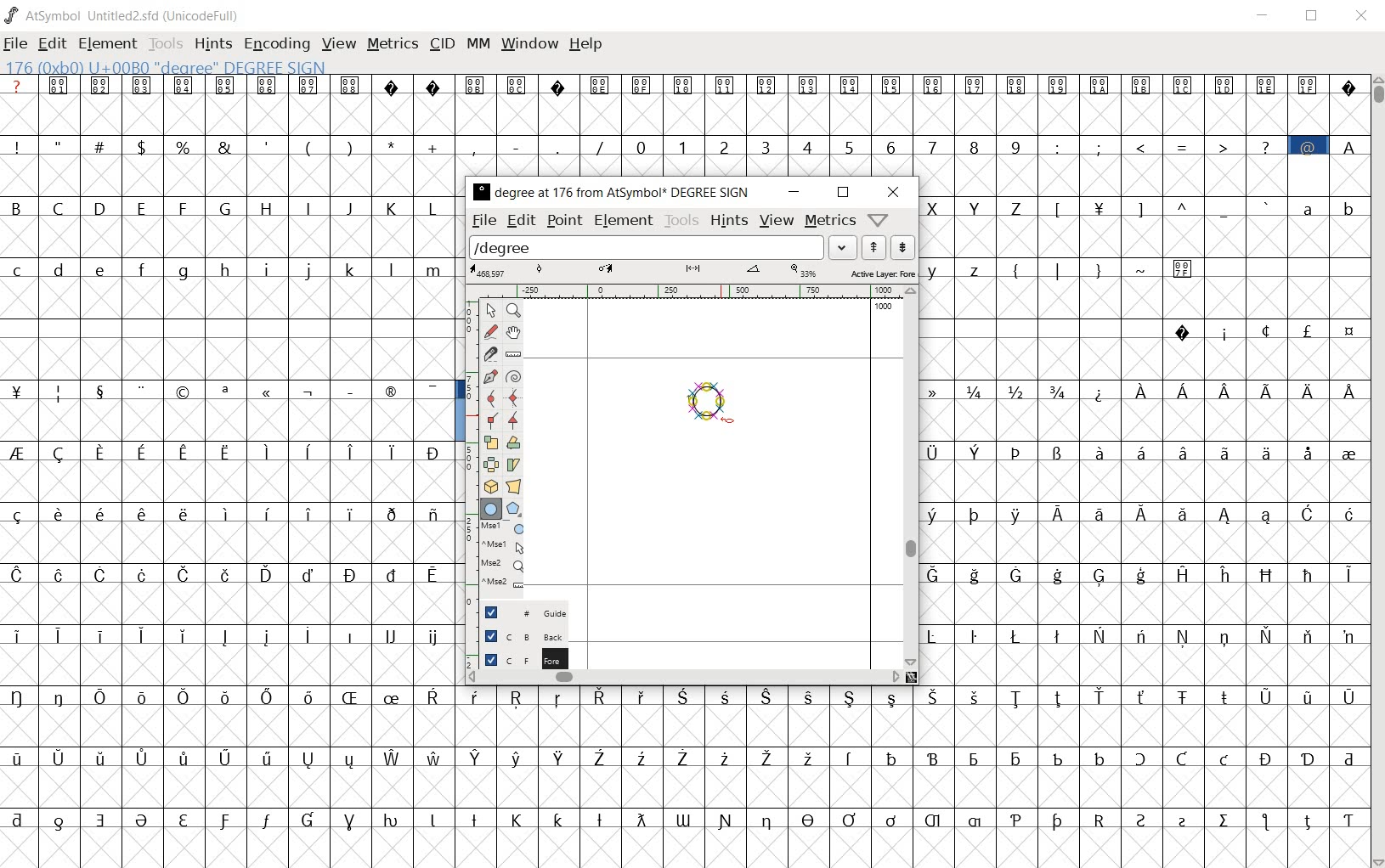 This screenshot has width=1385, height=868. Describe the element at coordinates (559, 84) in the screenshot. I see `unsupported character` at that location.